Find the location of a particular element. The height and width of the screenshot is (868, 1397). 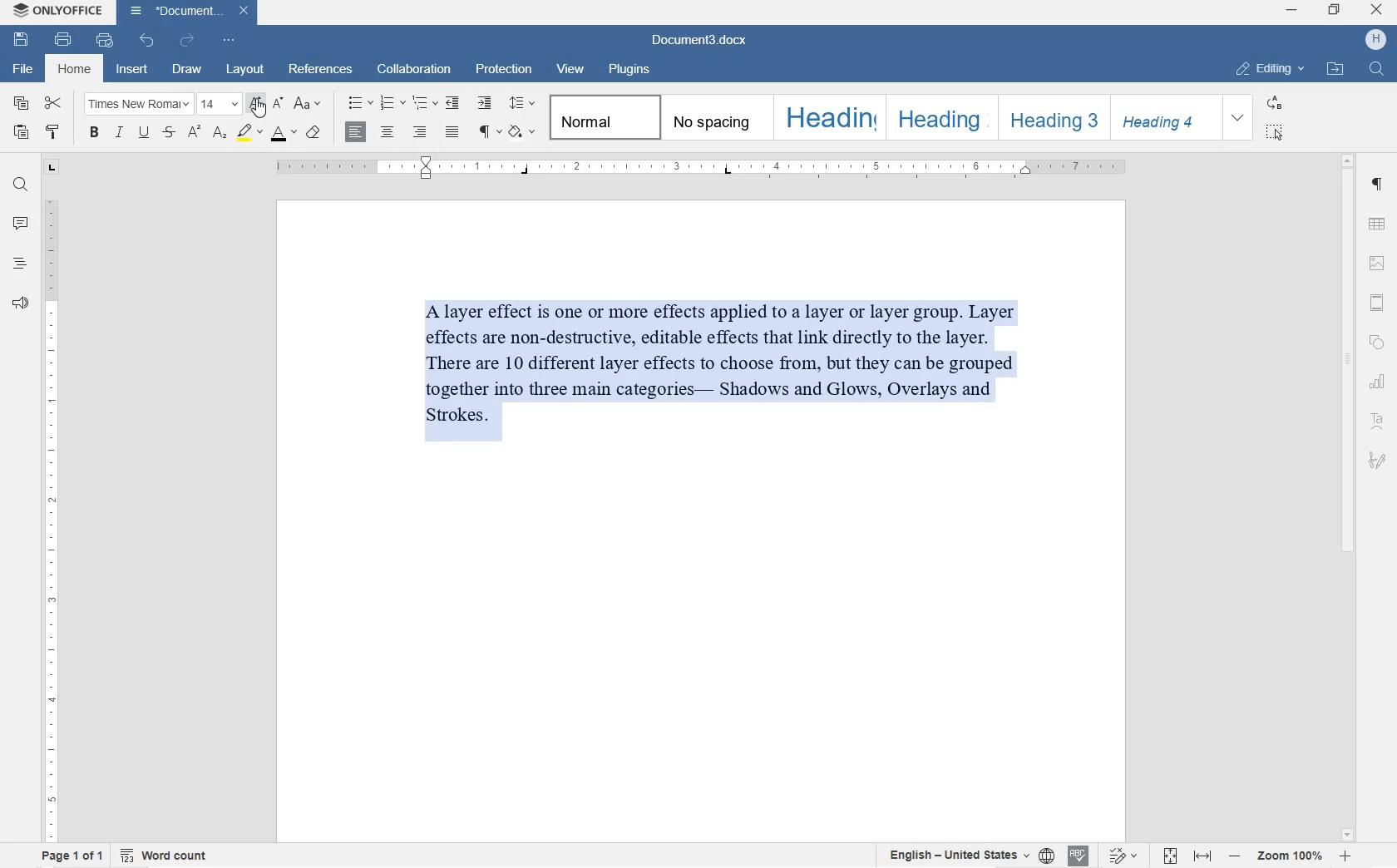

IMAGE is located at coordinates (1379, 264).